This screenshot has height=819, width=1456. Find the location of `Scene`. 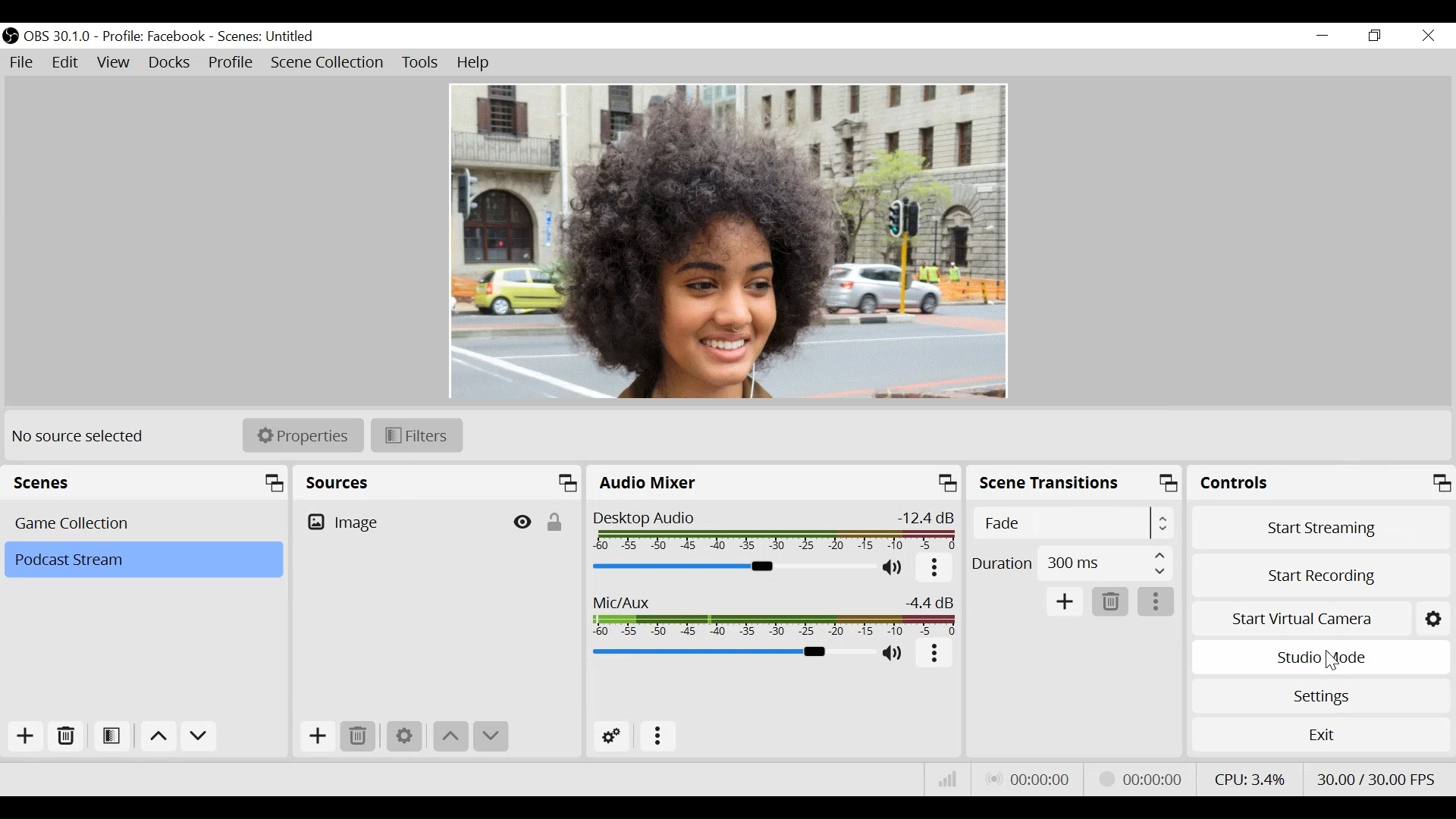

Scene is located at coordinates (266, 36).